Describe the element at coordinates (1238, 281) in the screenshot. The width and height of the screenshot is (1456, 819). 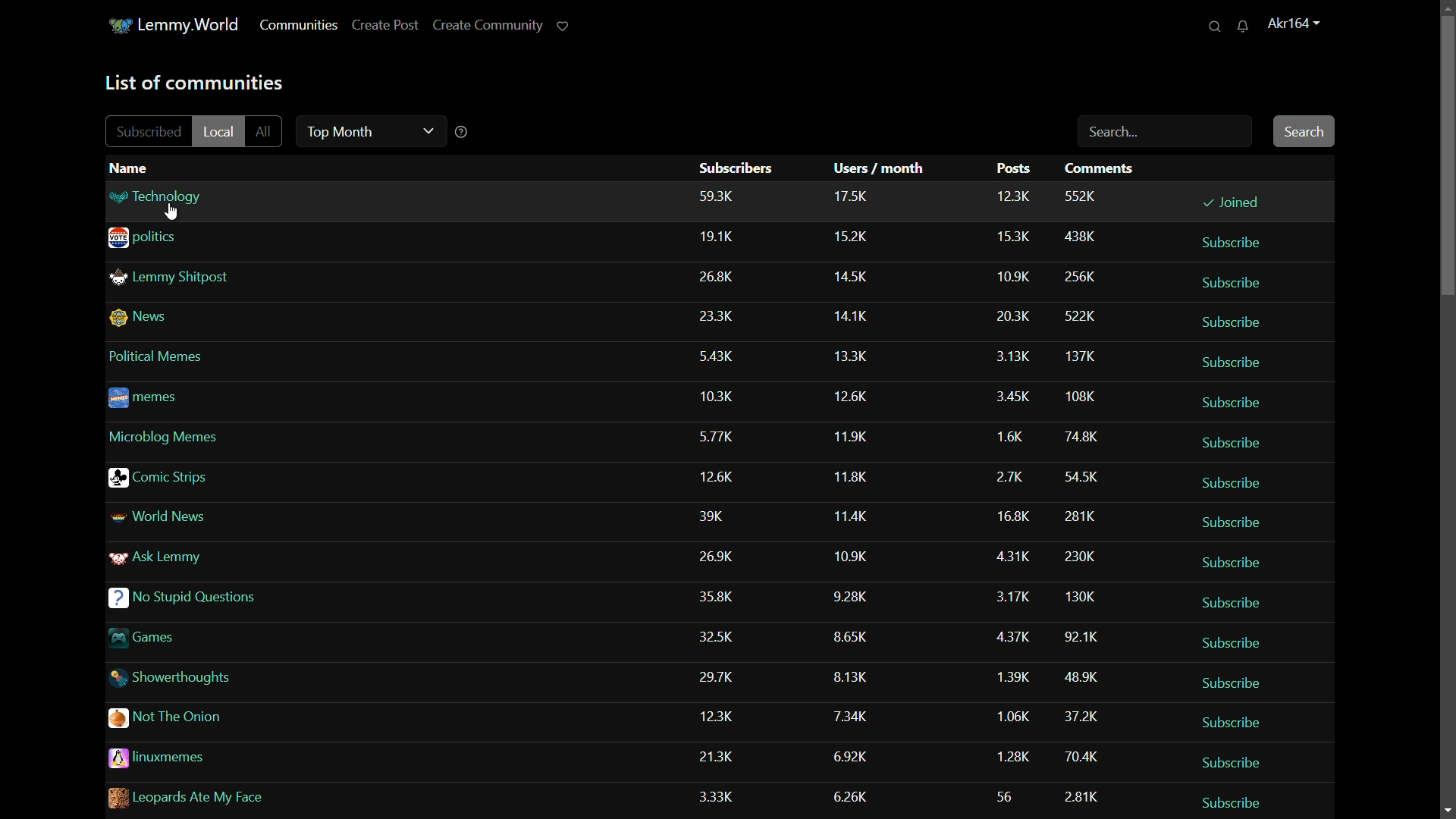
I see `subscribe/unsubscribe` at that location.